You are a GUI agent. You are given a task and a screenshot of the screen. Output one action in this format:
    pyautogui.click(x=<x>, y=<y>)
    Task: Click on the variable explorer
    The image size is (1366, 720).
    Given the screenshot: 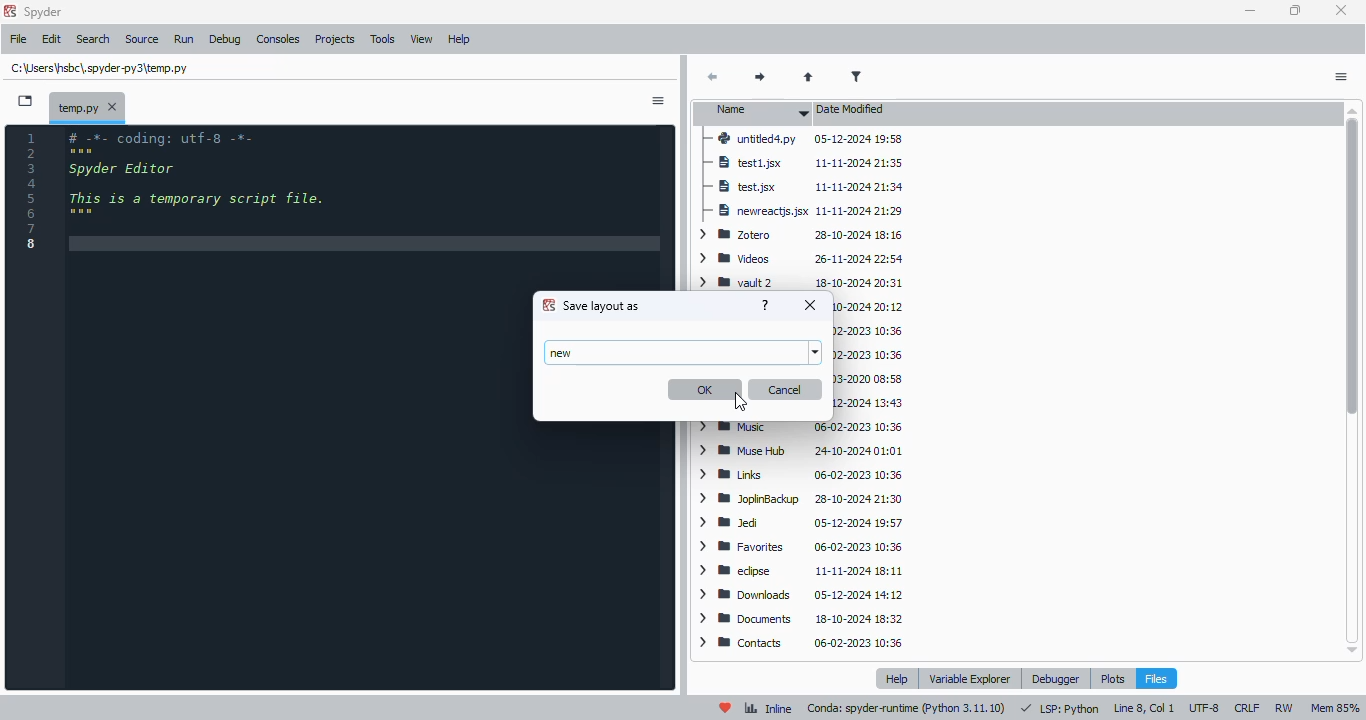 What is the action you would take?
    pyautogui.click(x=970, y=678)
    